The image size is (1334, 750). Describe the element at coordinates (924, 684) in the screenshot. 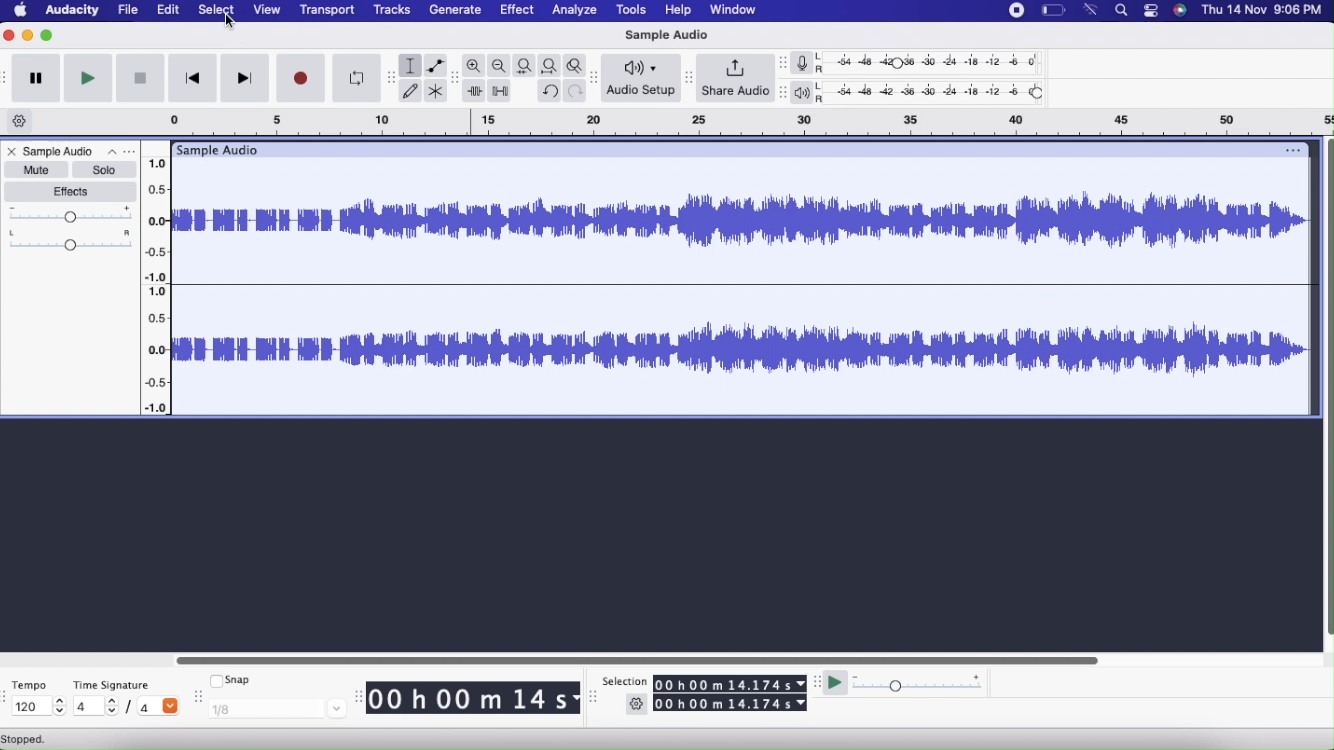

I see `Playback Speed` at that location.